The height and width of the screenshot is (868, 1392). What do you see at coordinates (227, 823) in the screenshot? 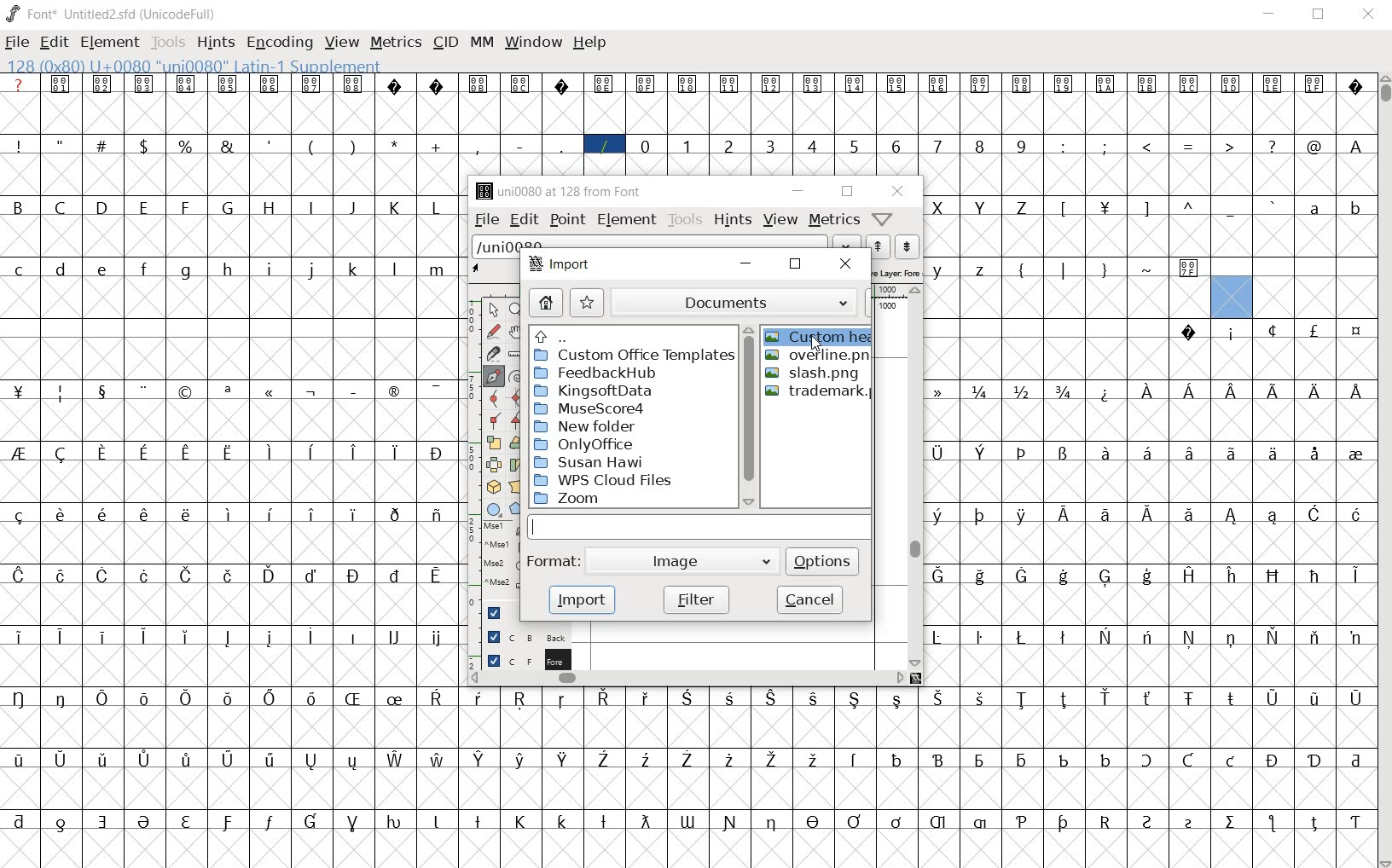
I see `glyph` at bounding box center [227, 823].